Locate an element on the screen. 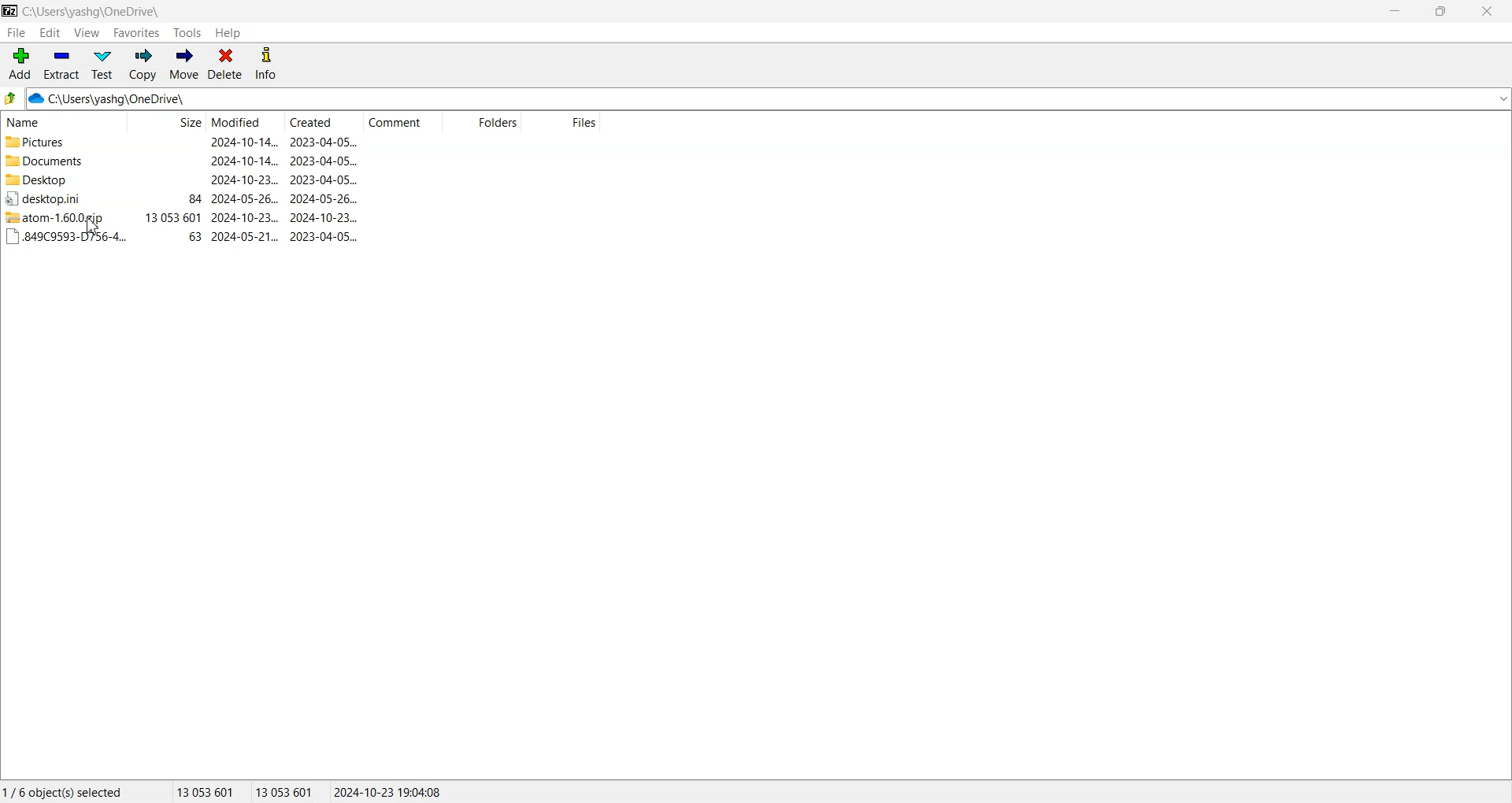 The image size is (1512, 803). 13 053 601 is located at coordinates (173, 217).